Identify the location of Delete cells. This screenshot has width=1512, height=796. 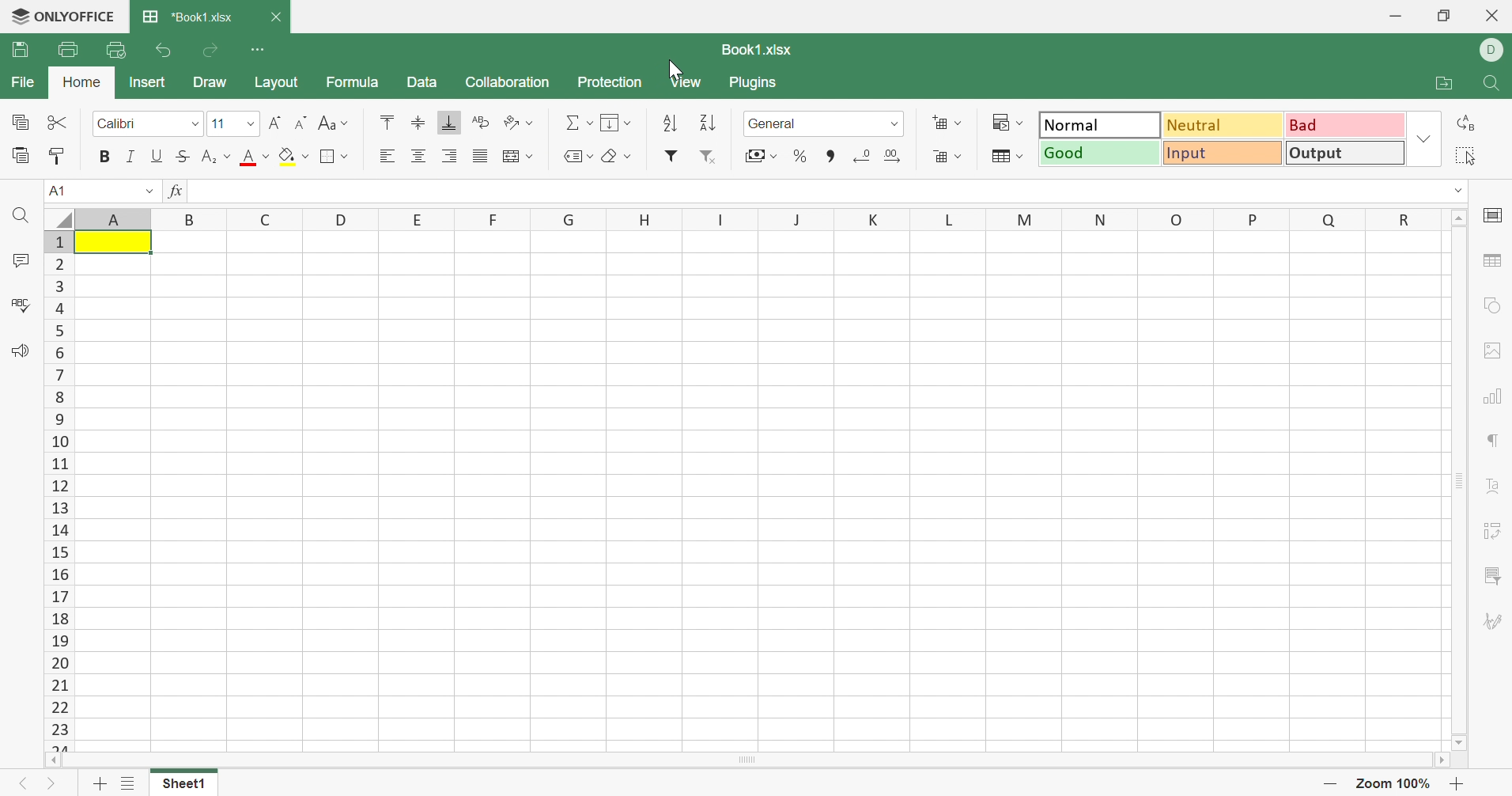
(944, 154).